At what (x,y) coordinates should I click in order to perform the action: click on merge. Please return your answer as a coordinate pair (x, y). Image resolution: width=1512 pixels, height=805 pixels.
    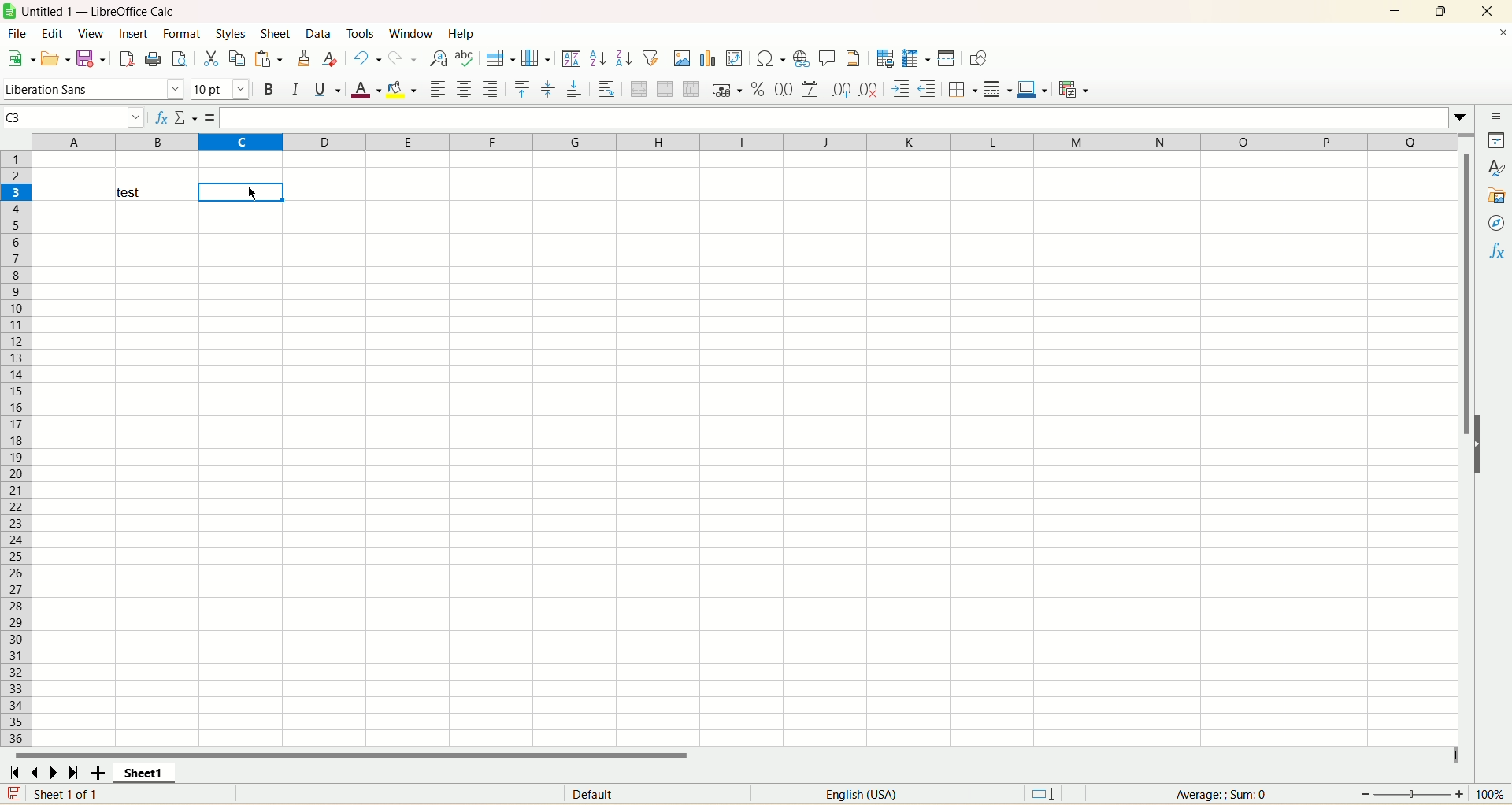
    Looking at the image, I should click on (665, 89).